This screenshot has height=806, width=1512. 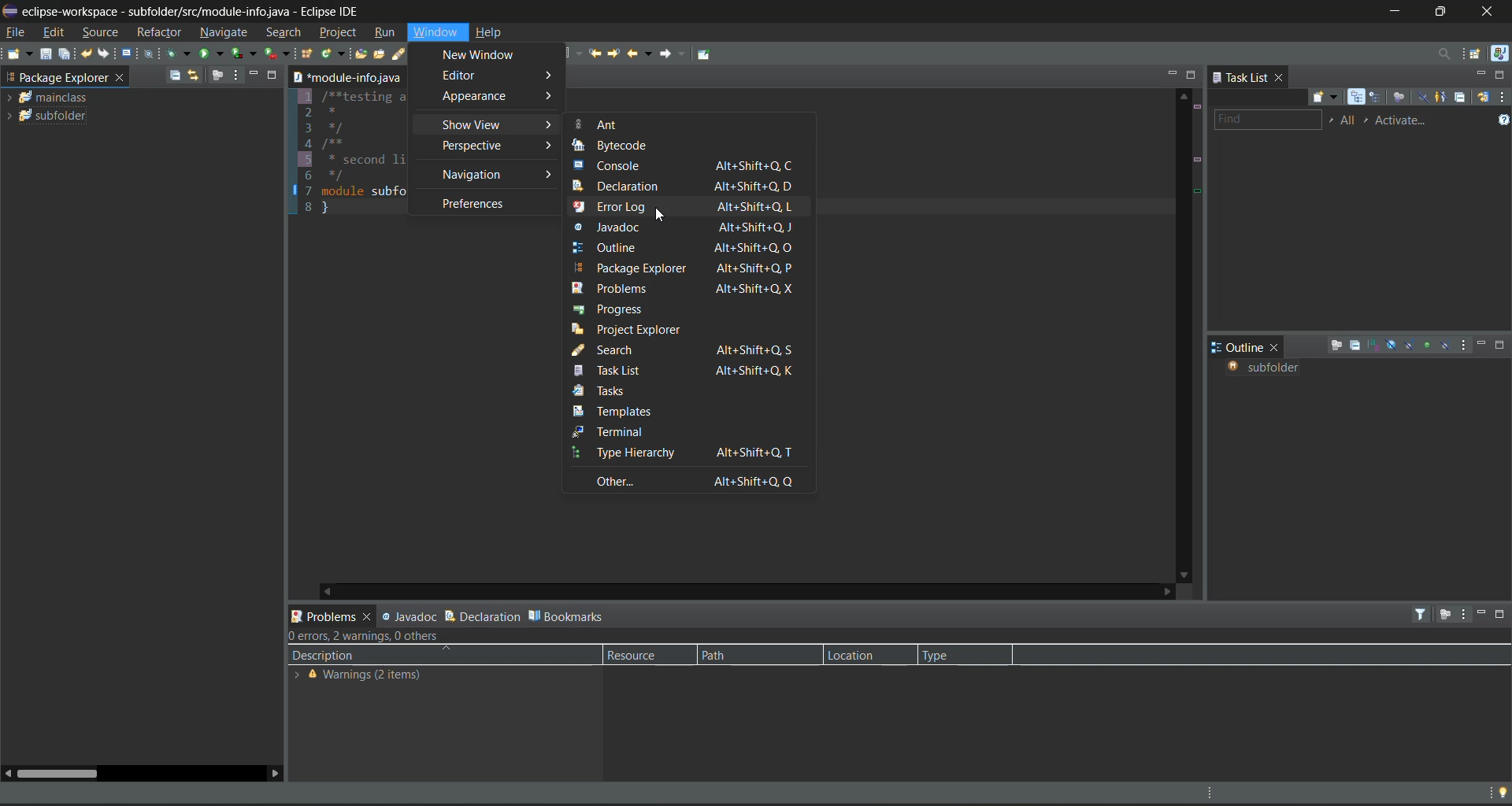 I want to click on hide static fields and methods, so click(x=1408, y=346).